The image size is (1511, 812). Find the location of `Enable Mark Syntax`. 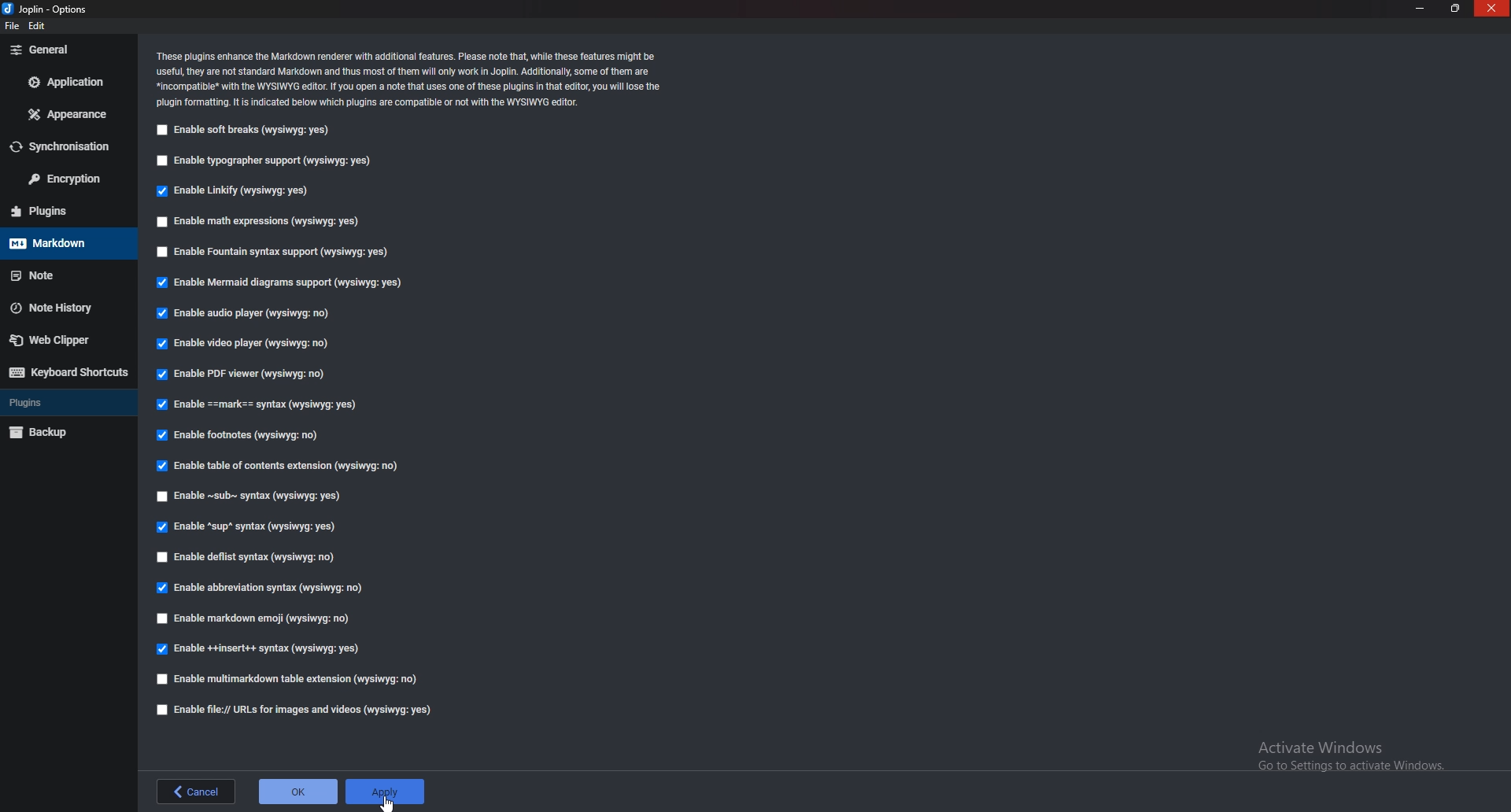

Enable Mark Syntax is located at coordinates (260, 406).